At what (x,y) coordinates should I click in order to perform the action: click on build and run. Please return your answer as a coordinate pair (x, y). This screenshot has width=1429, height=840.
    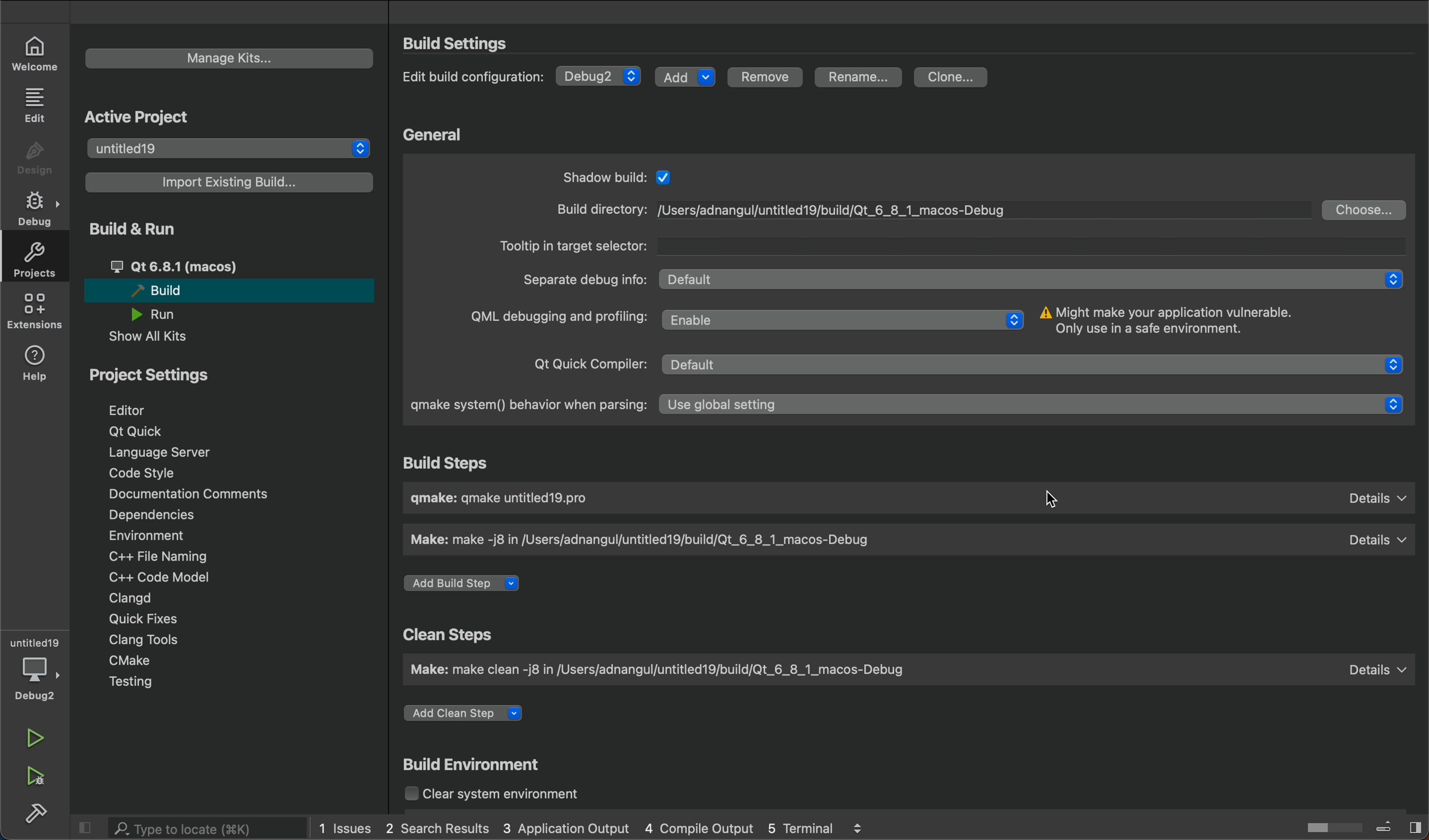
    Looking at the image, I should click on (145, 228).